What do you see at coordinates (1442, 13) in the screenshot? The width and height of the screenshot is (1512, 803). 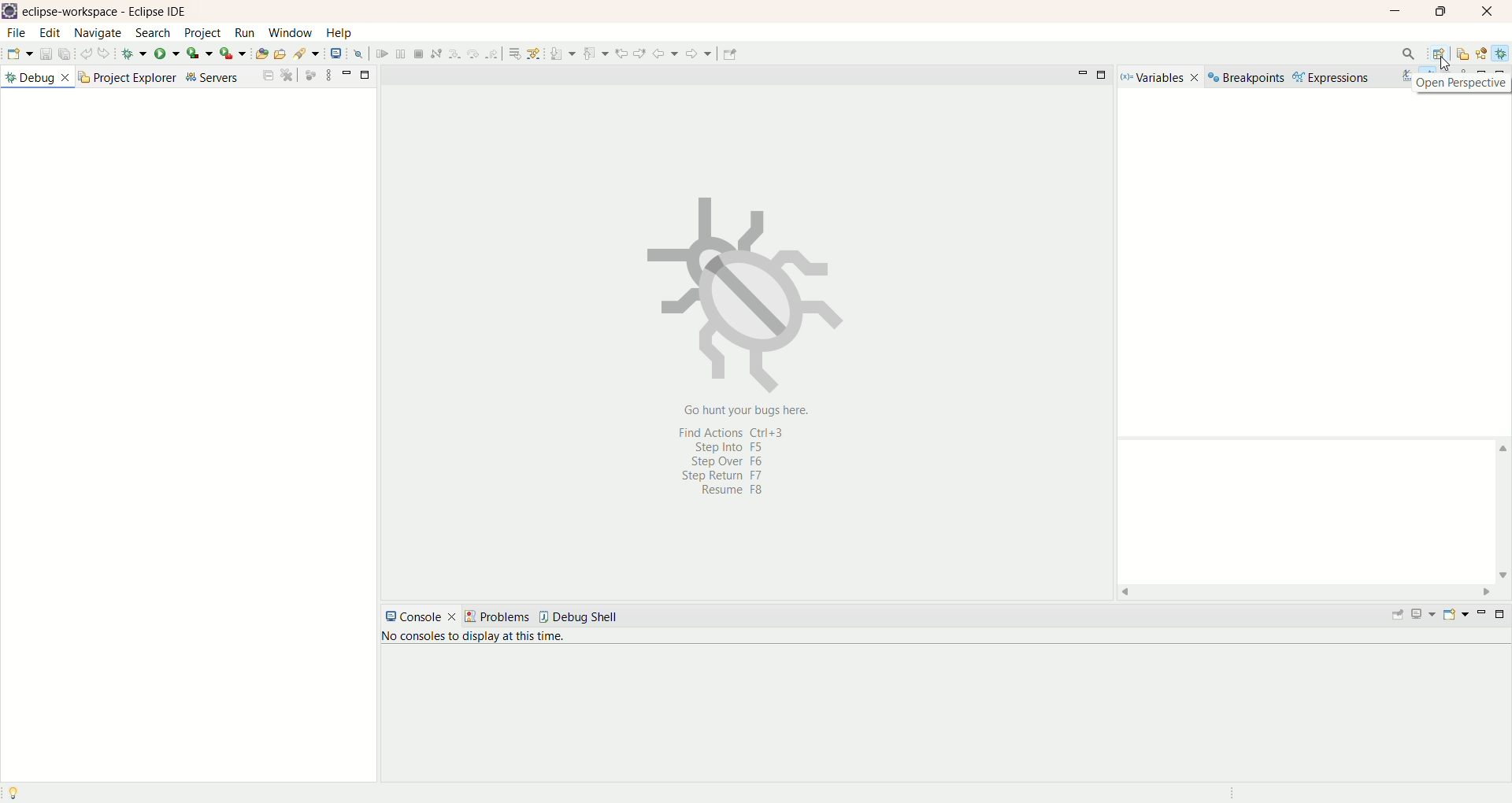 I see `maximize` at bounding box center [1442, 13].